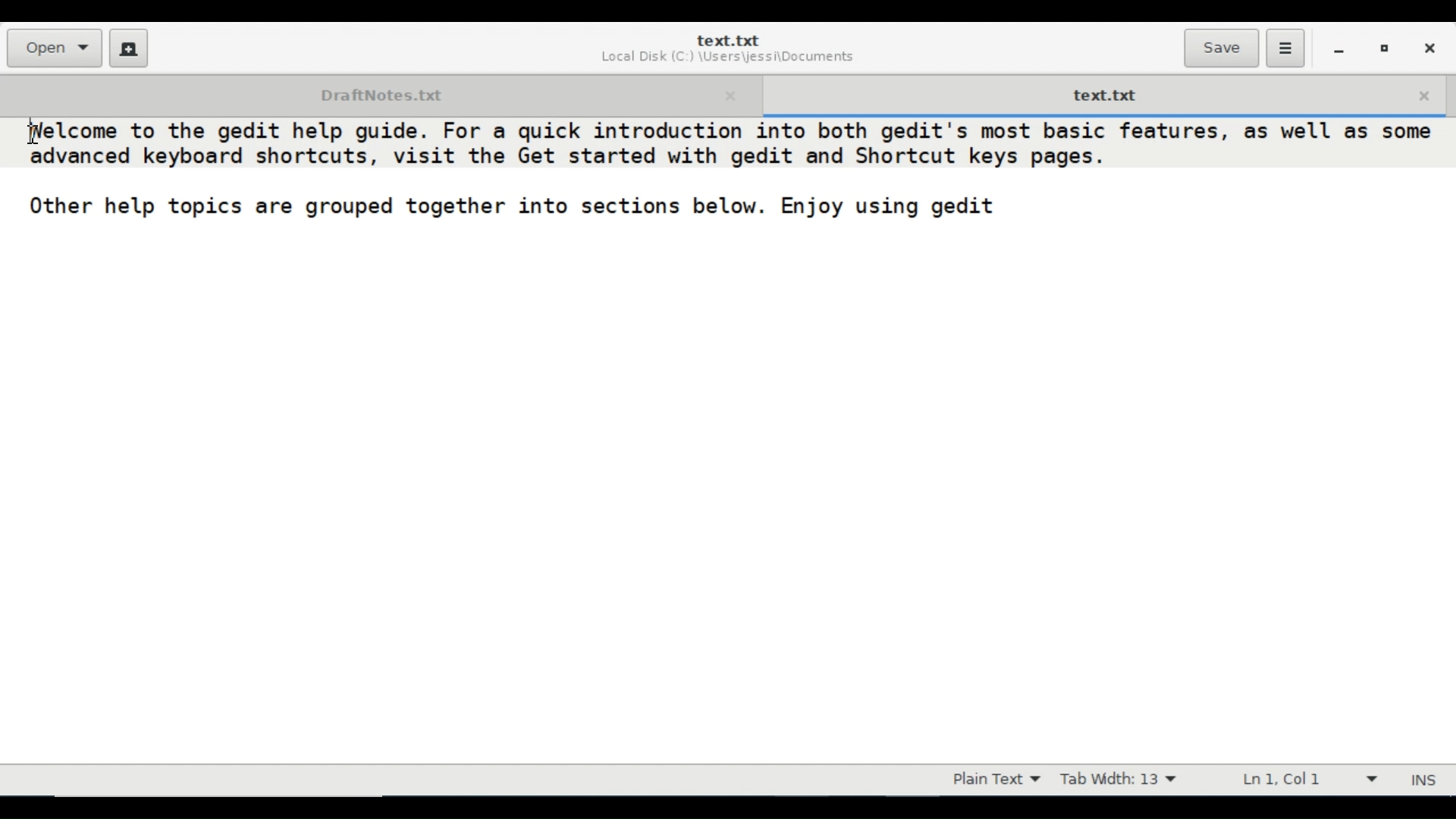 The width and height of the screenshot is (1456, 819). I want to click on Open Tab, so click(378, 93).